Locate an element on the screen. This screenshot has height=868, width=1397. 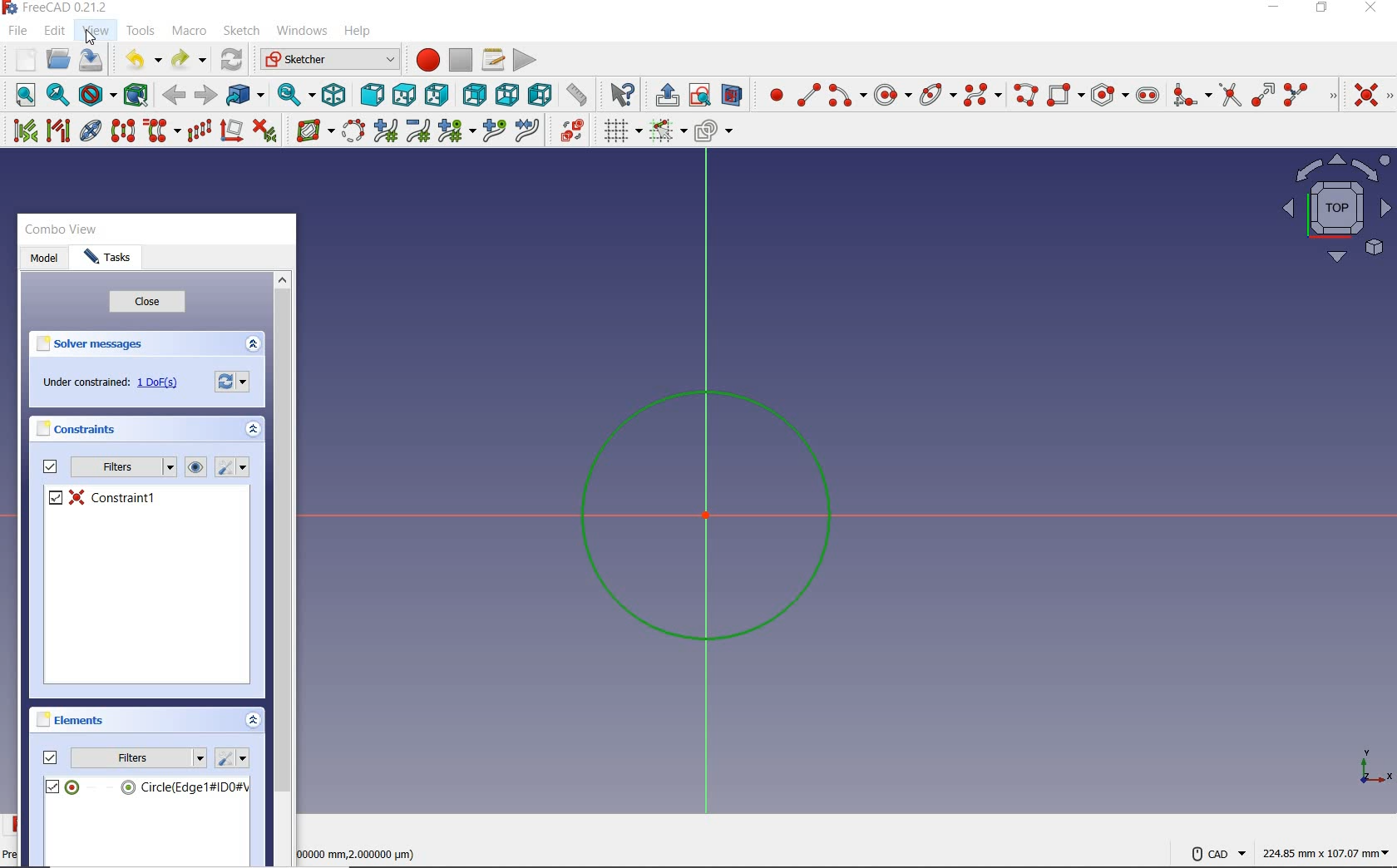
scrollbar is located at coordinates (285, 535).